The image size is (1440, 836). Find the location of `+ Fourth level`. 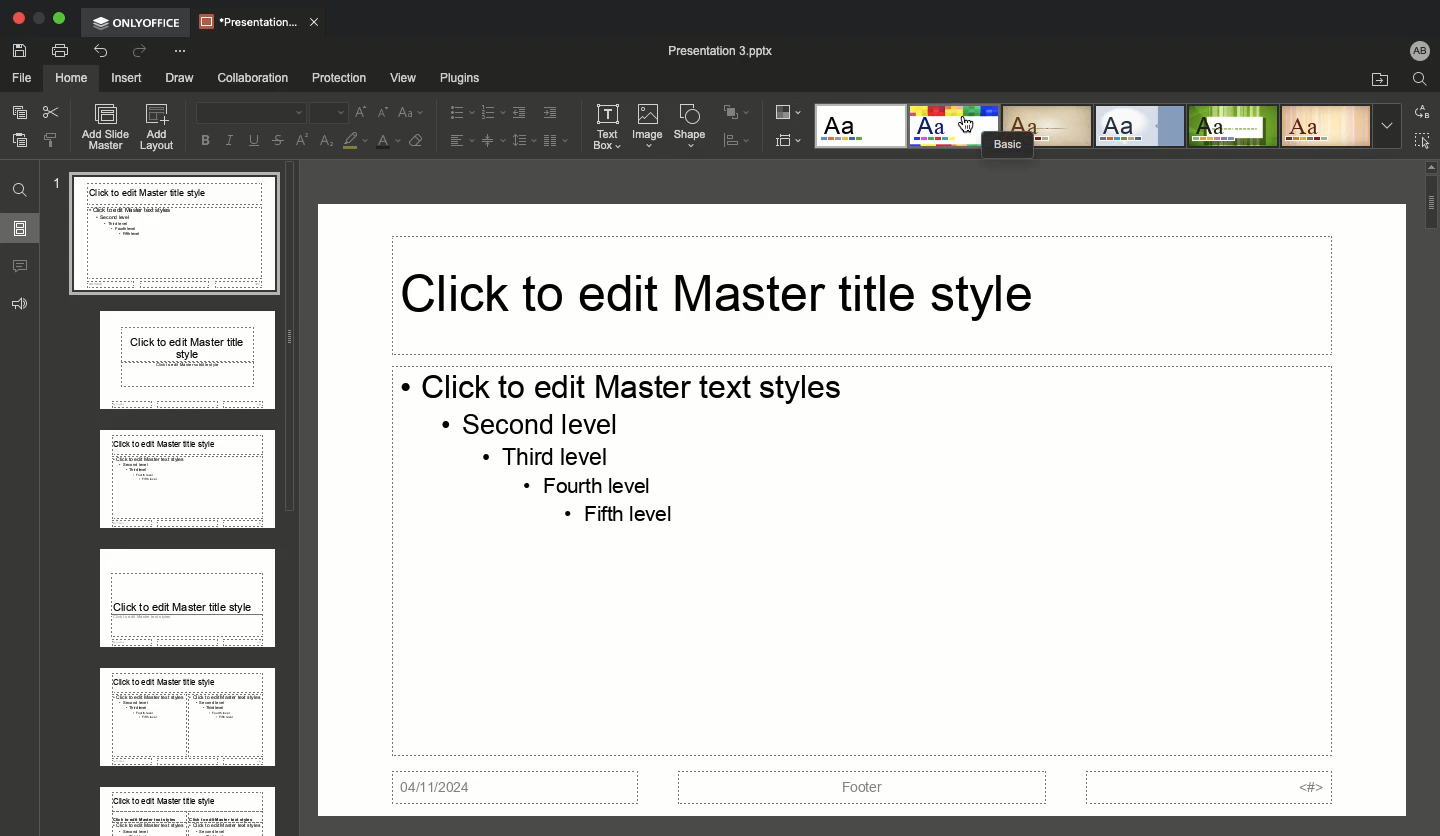

+ Fourth level is located at coordinates (597, 484).